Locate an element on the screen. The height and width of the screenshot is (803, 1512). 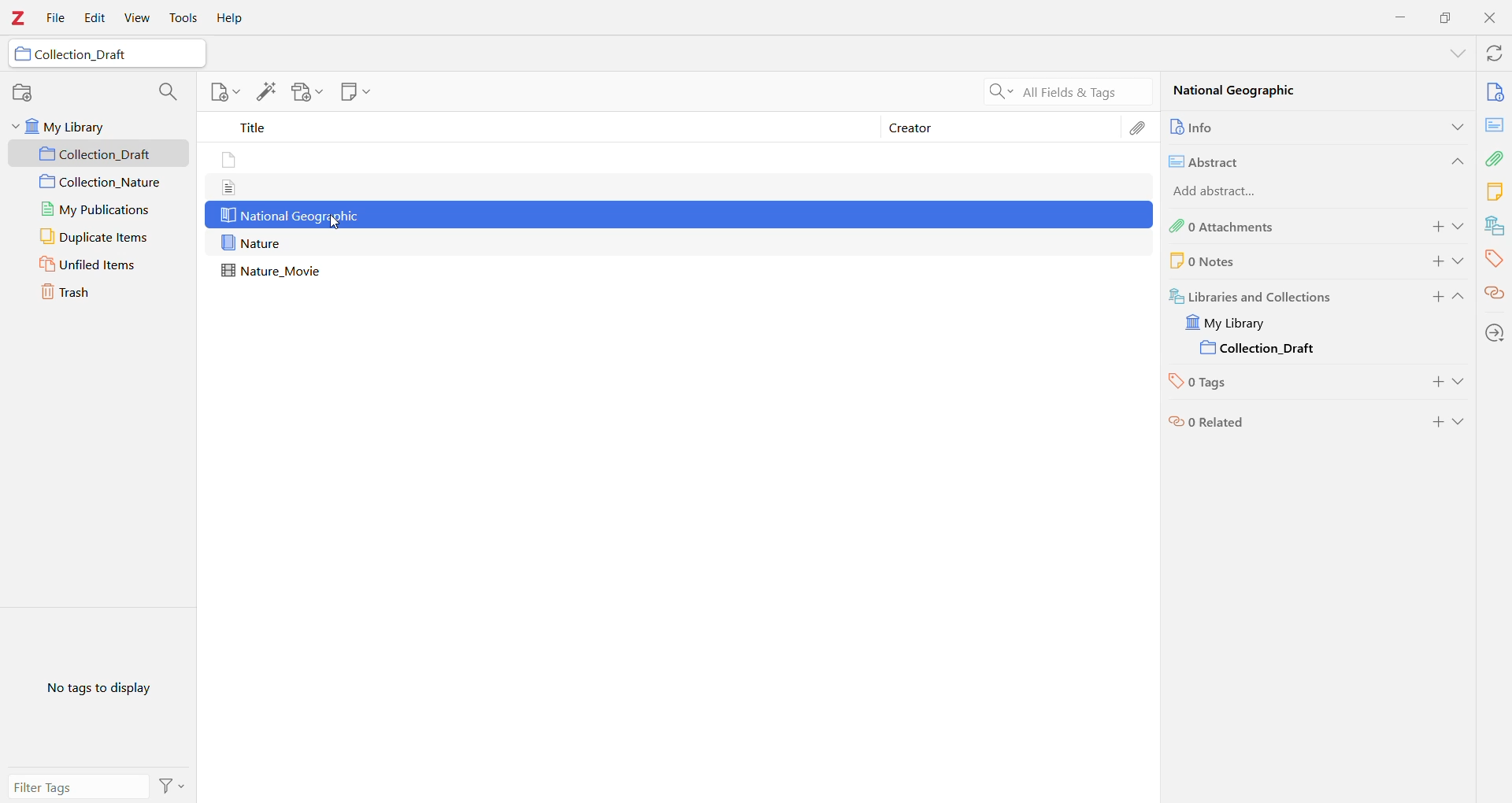
Collection_Draft is located at coordinates (105, 55).